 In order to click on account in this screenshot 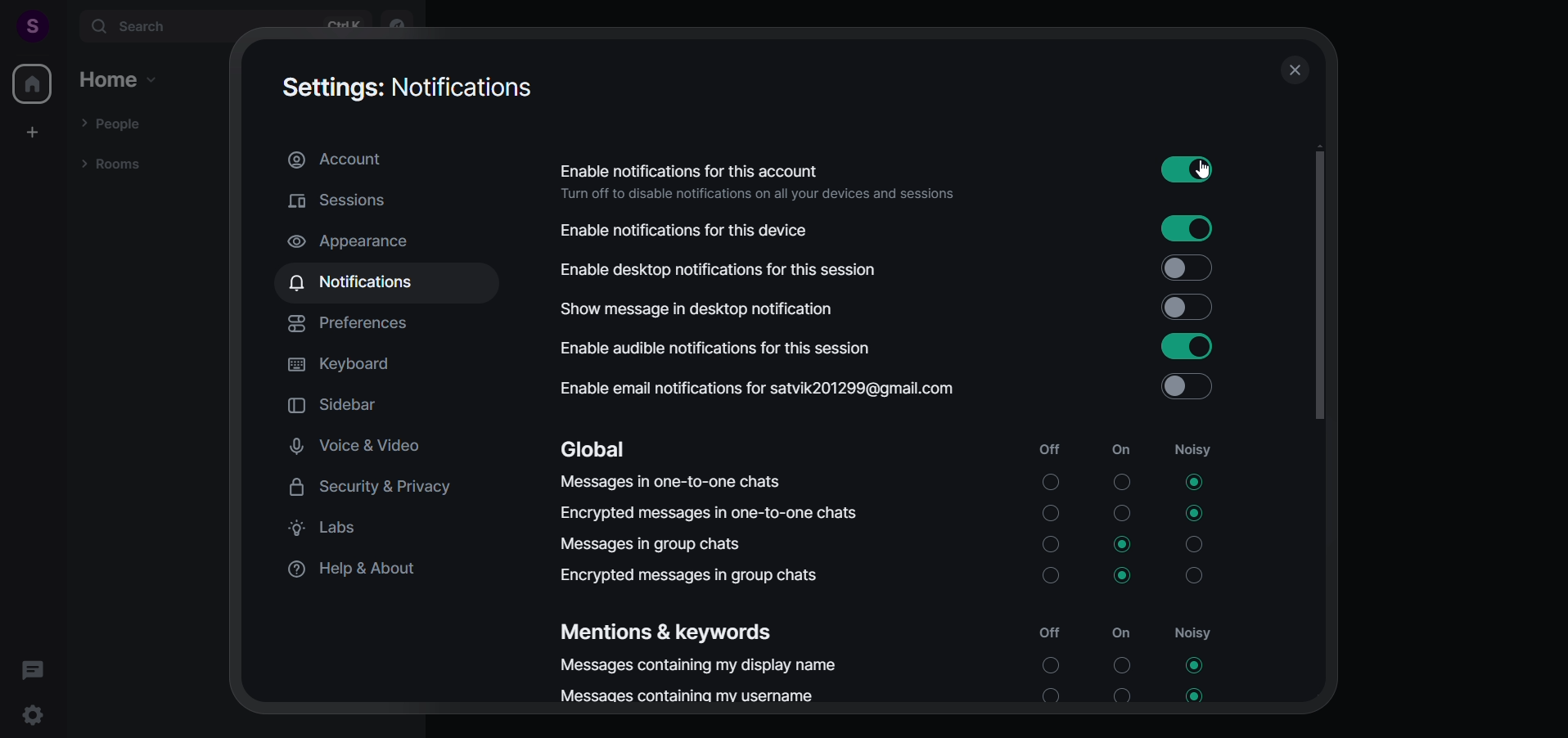, I will do `click(337, 161)`.